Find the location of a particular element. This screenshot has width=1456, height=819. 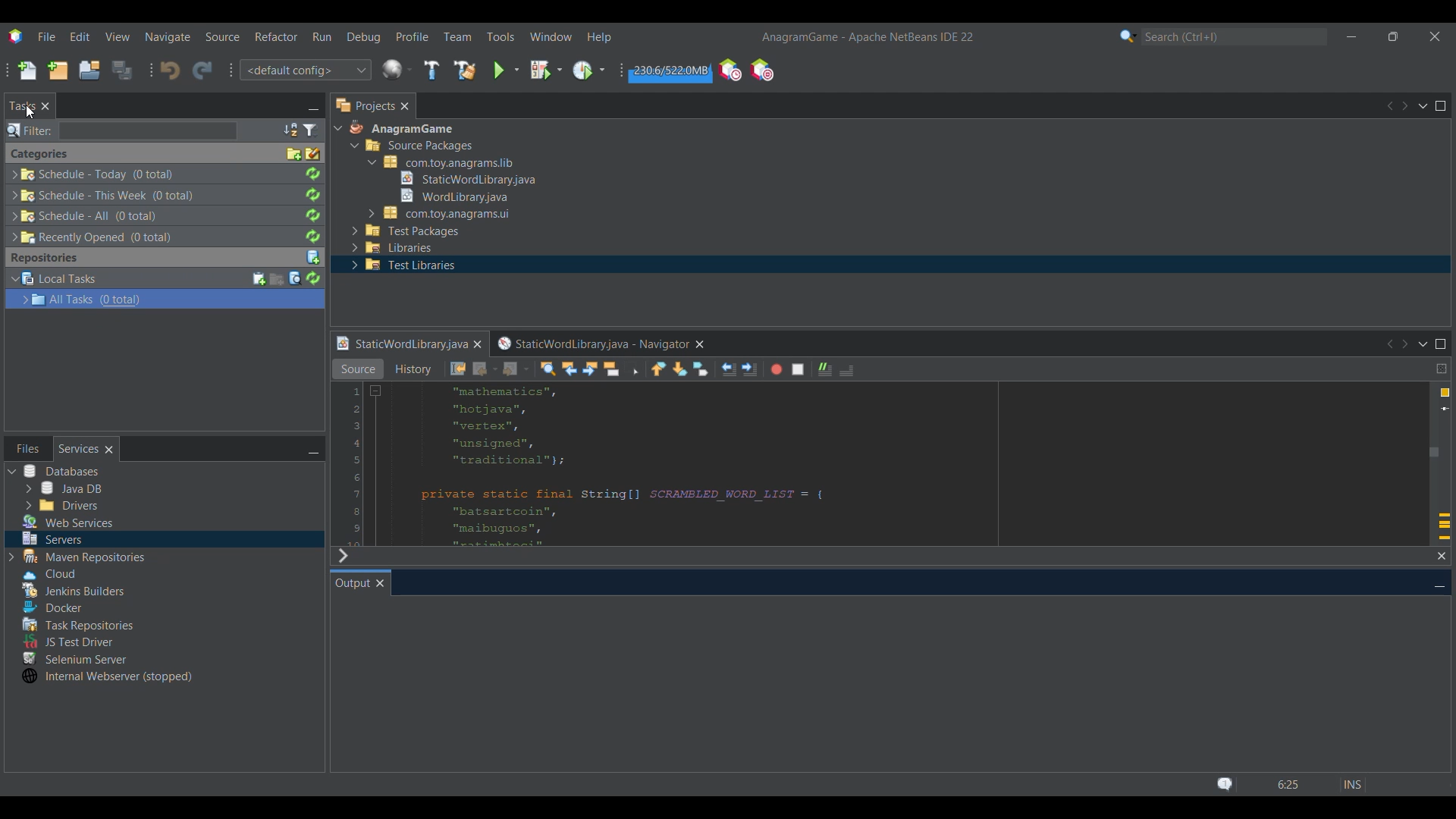

Open project is located at coordinates (89, 71).